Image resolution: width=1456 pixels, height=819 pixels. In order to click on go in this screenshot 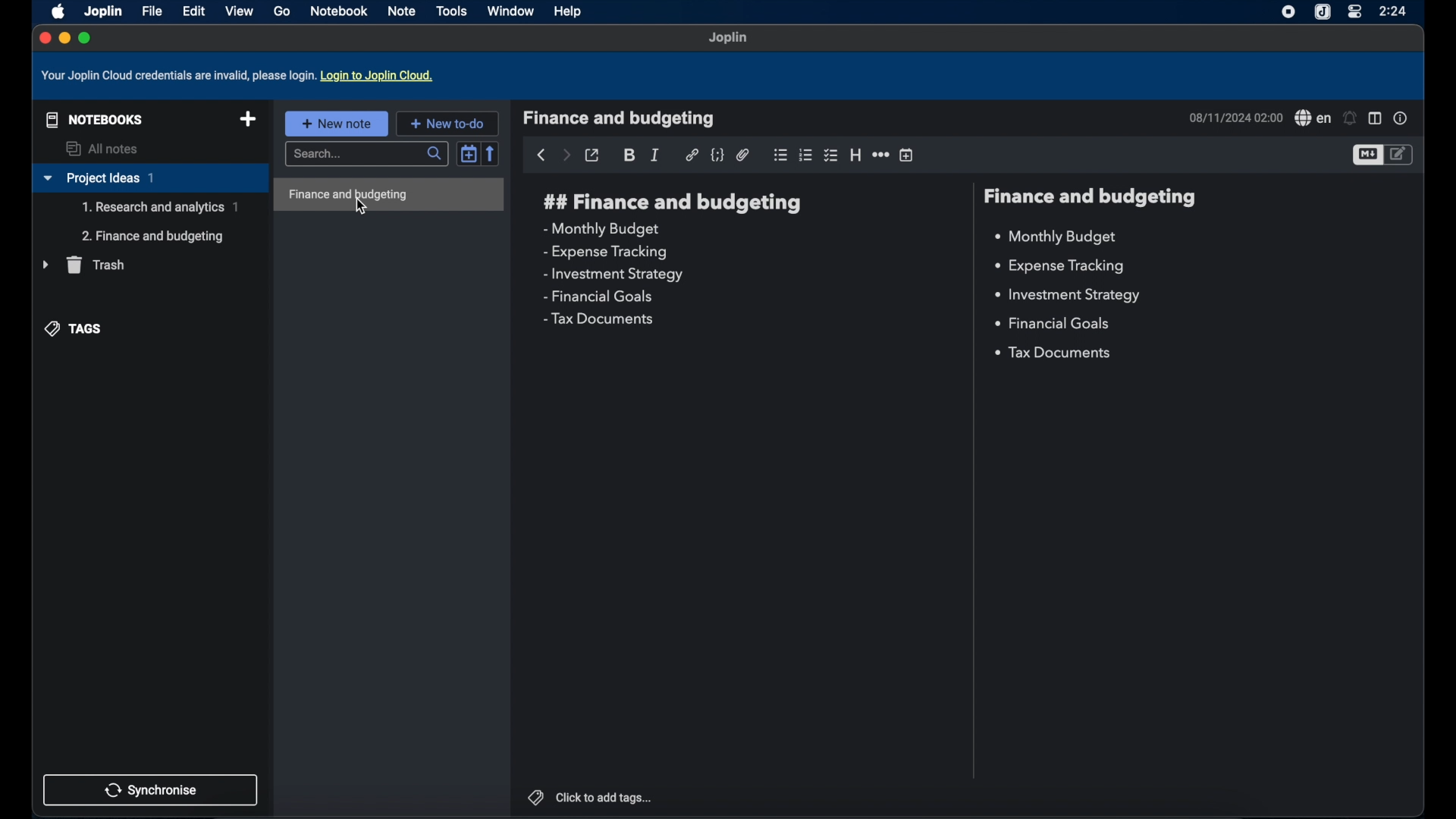, I will do `click(281, 11)`.